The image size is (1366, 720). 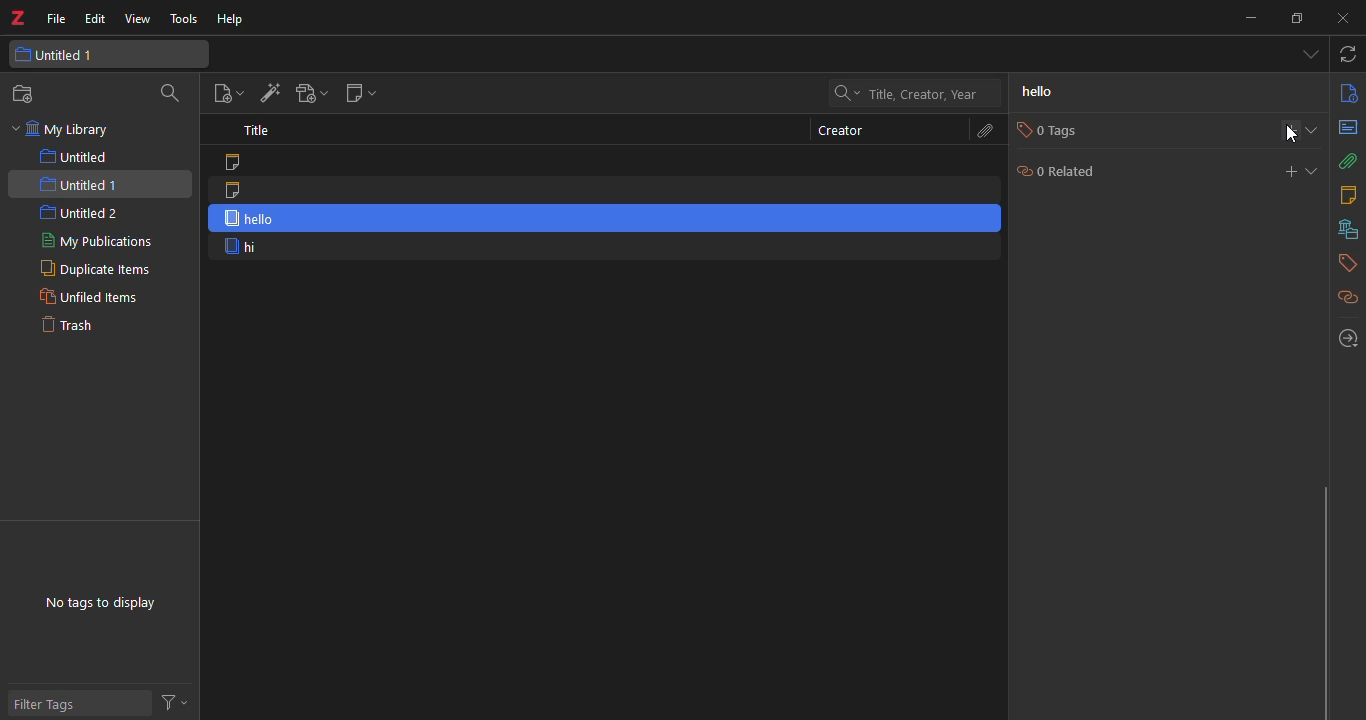 What do you see at coordinates (1322, 600) in the screenshot?
I see `slidebar` at bounding box center [1322, 600].